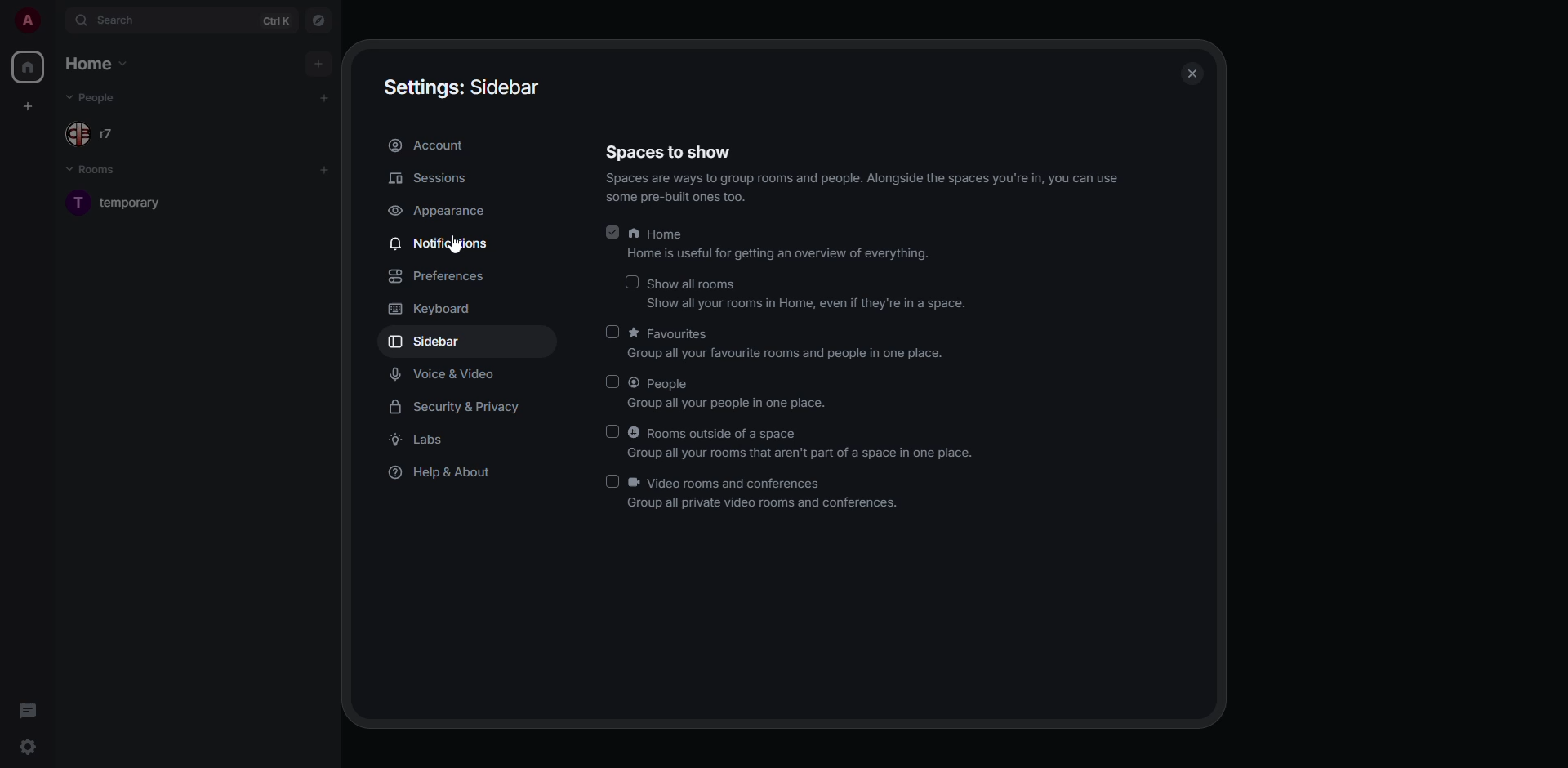 Image resolution: width=1568 pixels, height=768 pixels. I want to click on click to enable, so click(632, 280).